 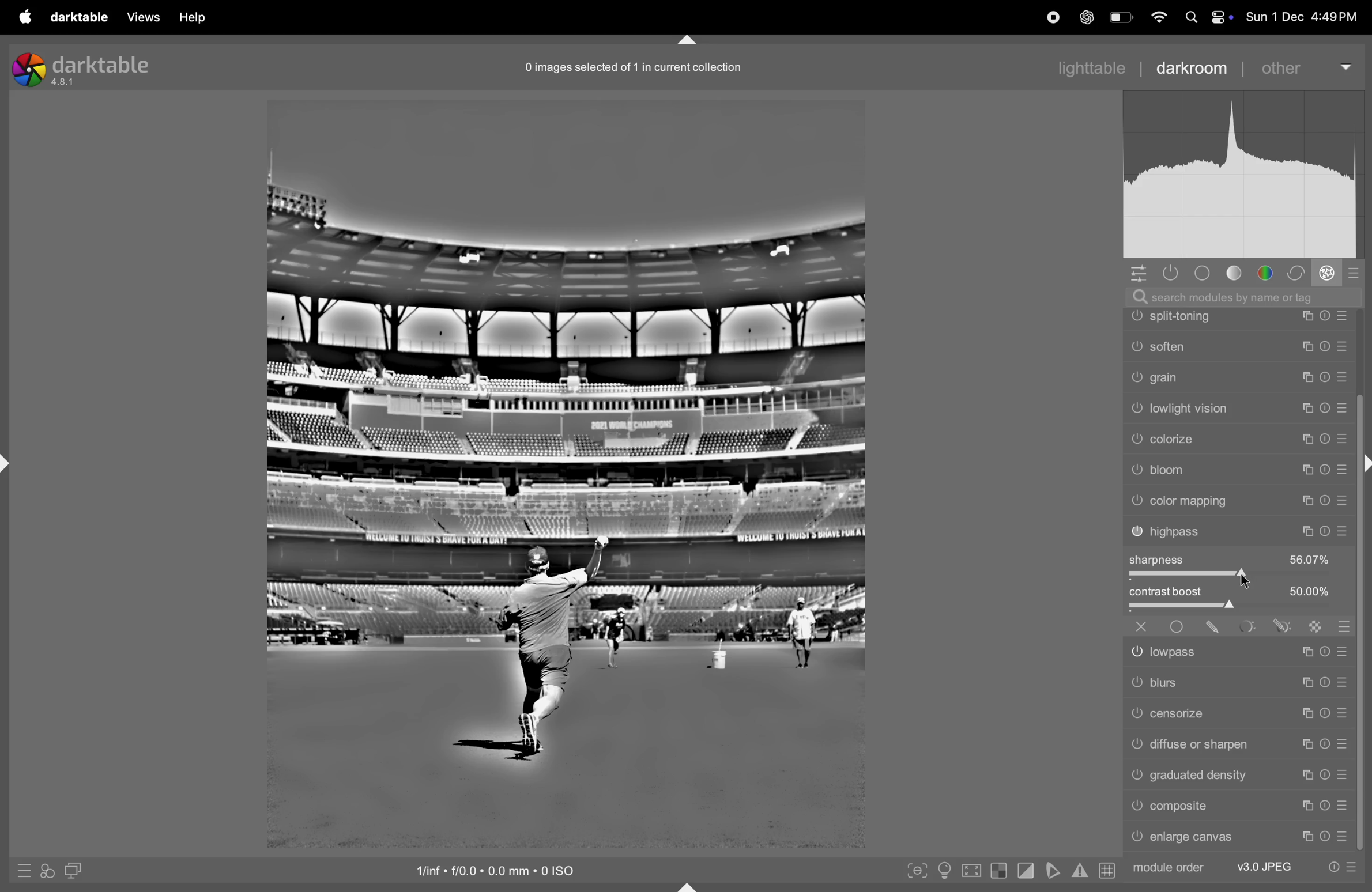 What do you see at coordinates (507, 870) in the screenshot?
I see `iso` at bounding box center [507, 870].